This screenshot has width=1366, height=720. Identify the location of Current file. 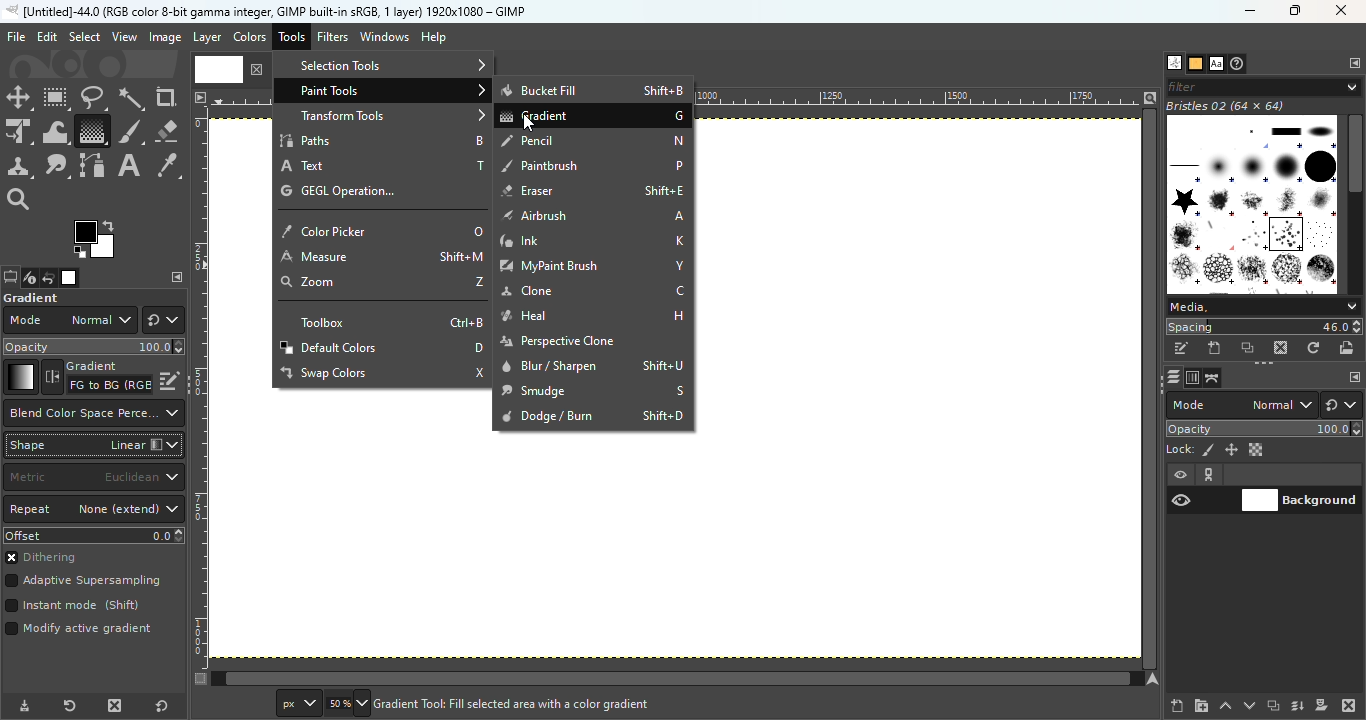
(231, 68).